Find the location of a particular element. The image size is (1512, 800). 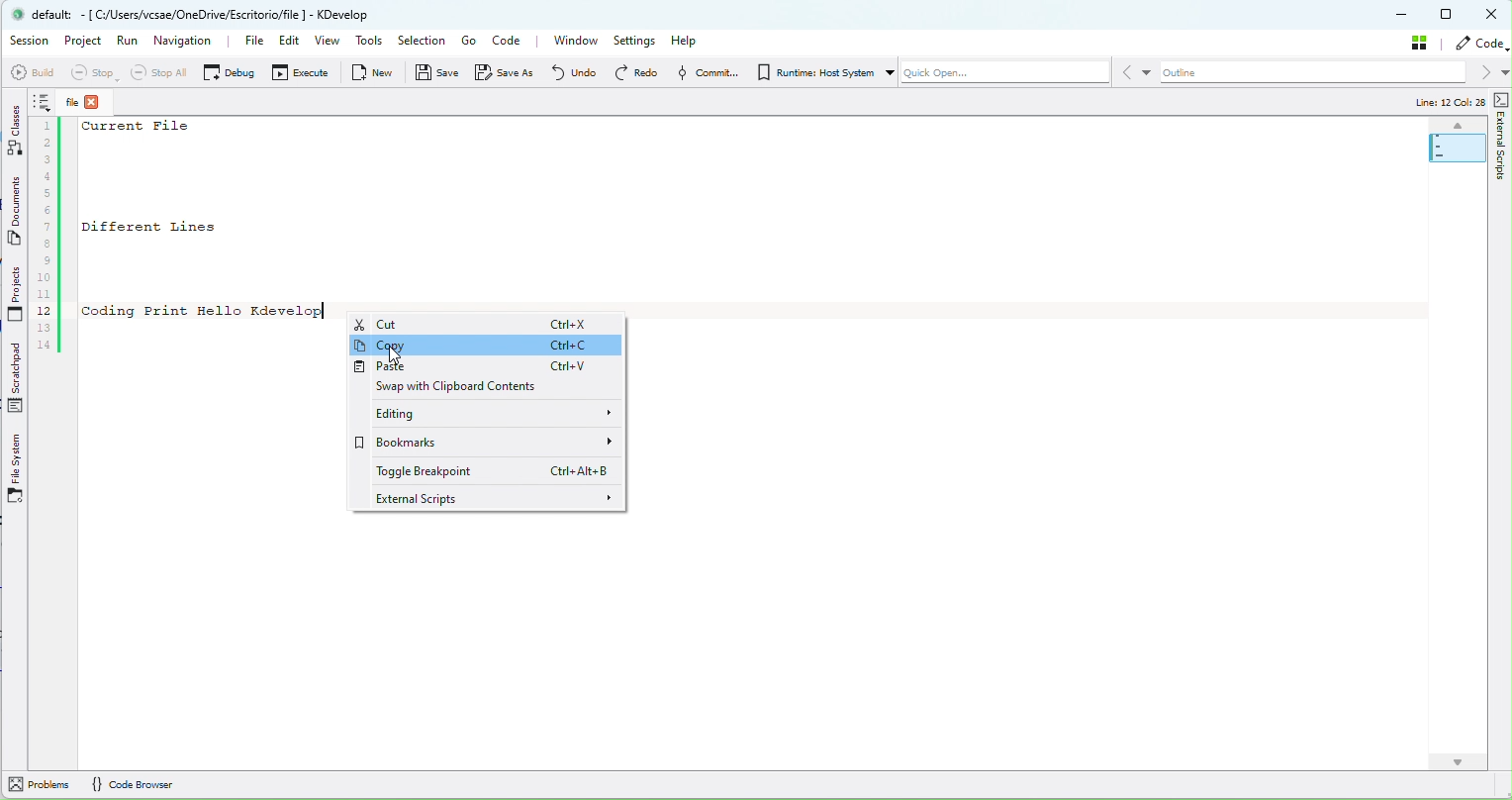

code is located at coordinates (1482, 44).